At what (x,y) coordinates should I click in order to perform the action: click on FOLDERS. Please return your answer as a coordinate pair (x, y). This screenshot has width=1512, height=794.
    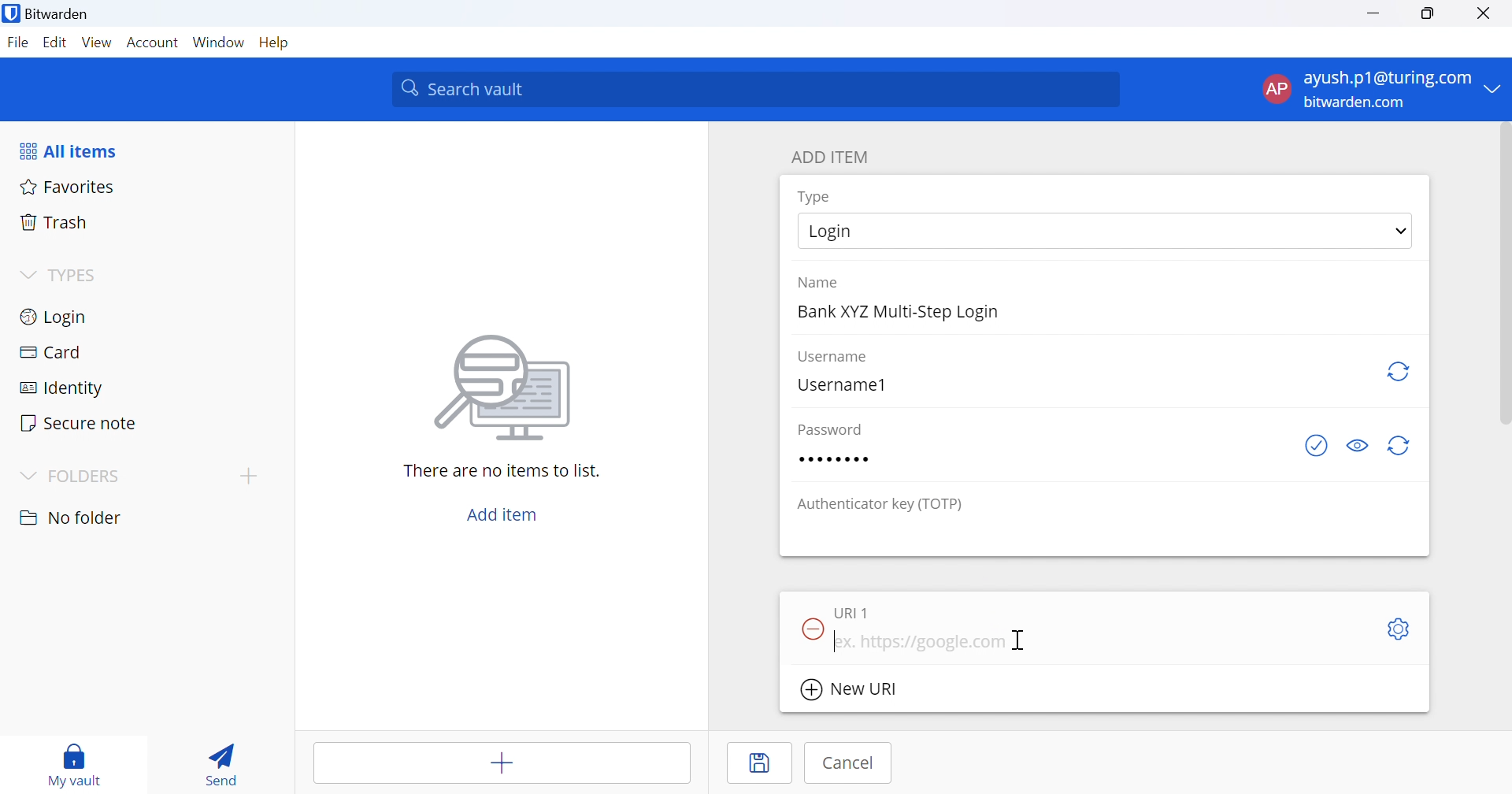
    Looking at the image, I should click on (92, 477).